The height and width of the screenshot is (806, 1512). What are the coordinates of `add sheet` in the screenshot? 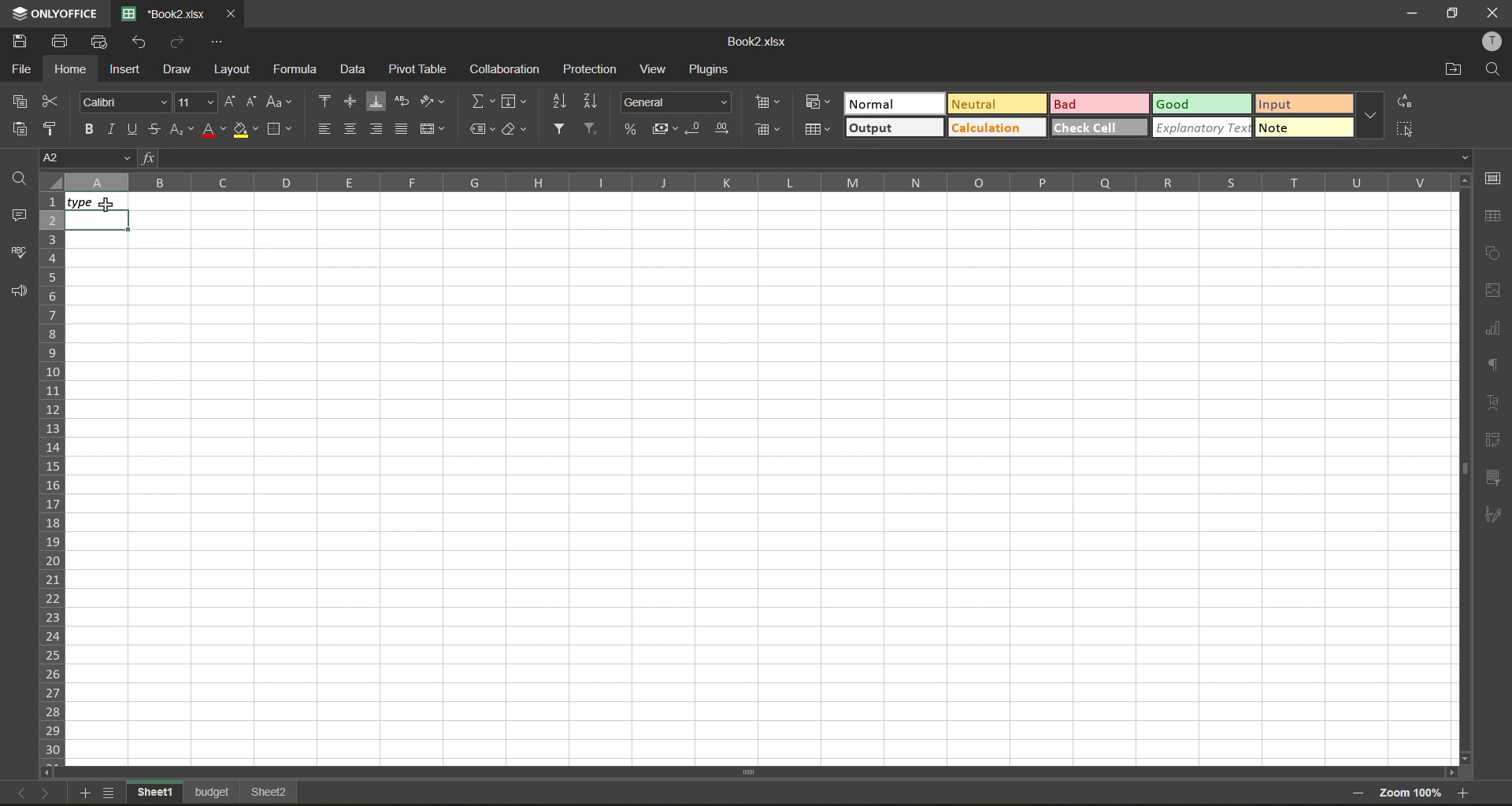 It's located at (88, 794).